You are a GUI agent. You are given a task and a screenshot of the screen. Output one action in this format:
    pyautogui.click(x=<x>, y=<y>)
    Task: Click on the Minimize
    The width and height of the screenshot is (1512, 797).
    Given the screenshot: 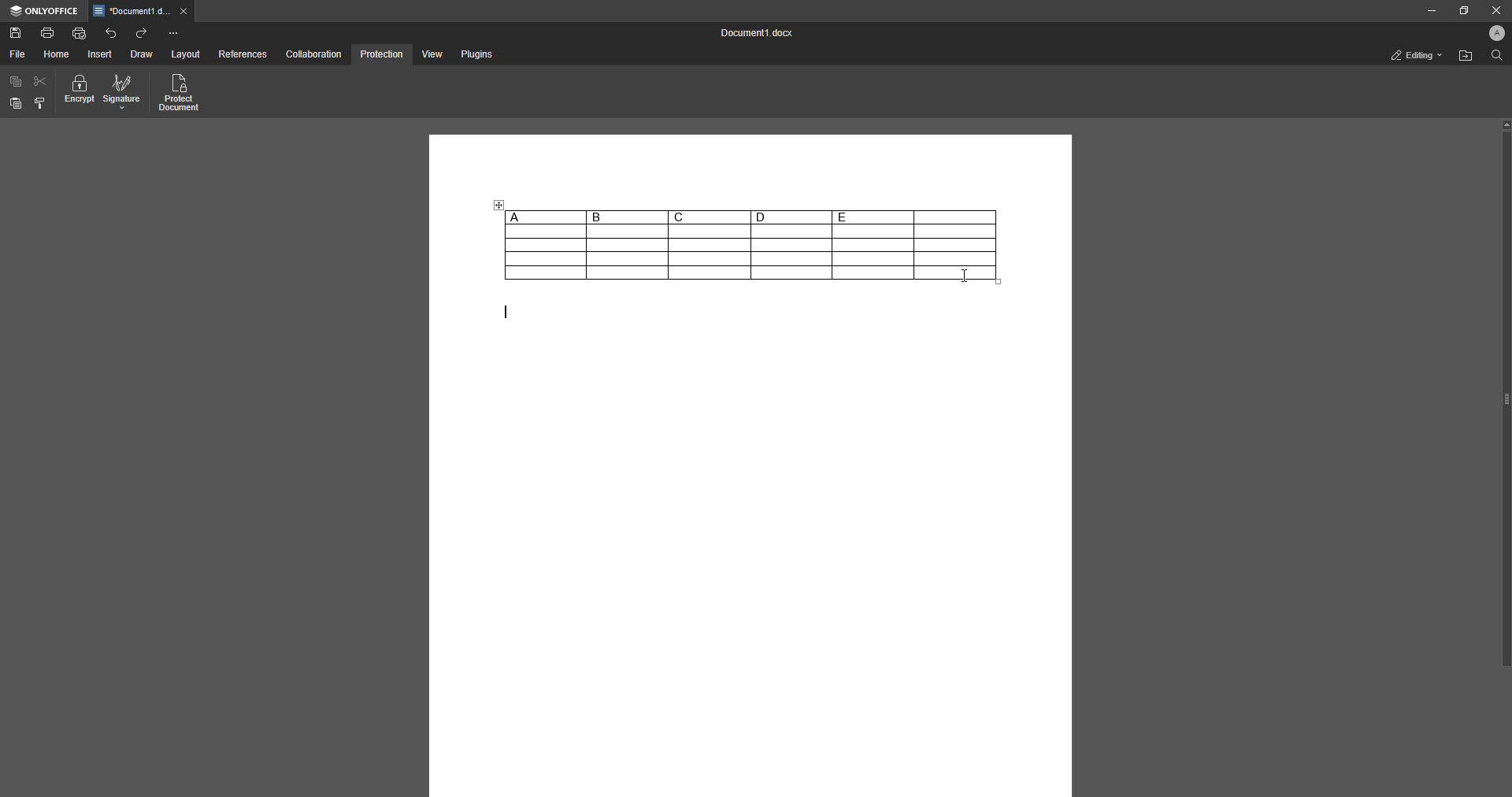 What is the action you would take?
    pyautogui.click(x=1426, y=11)
    